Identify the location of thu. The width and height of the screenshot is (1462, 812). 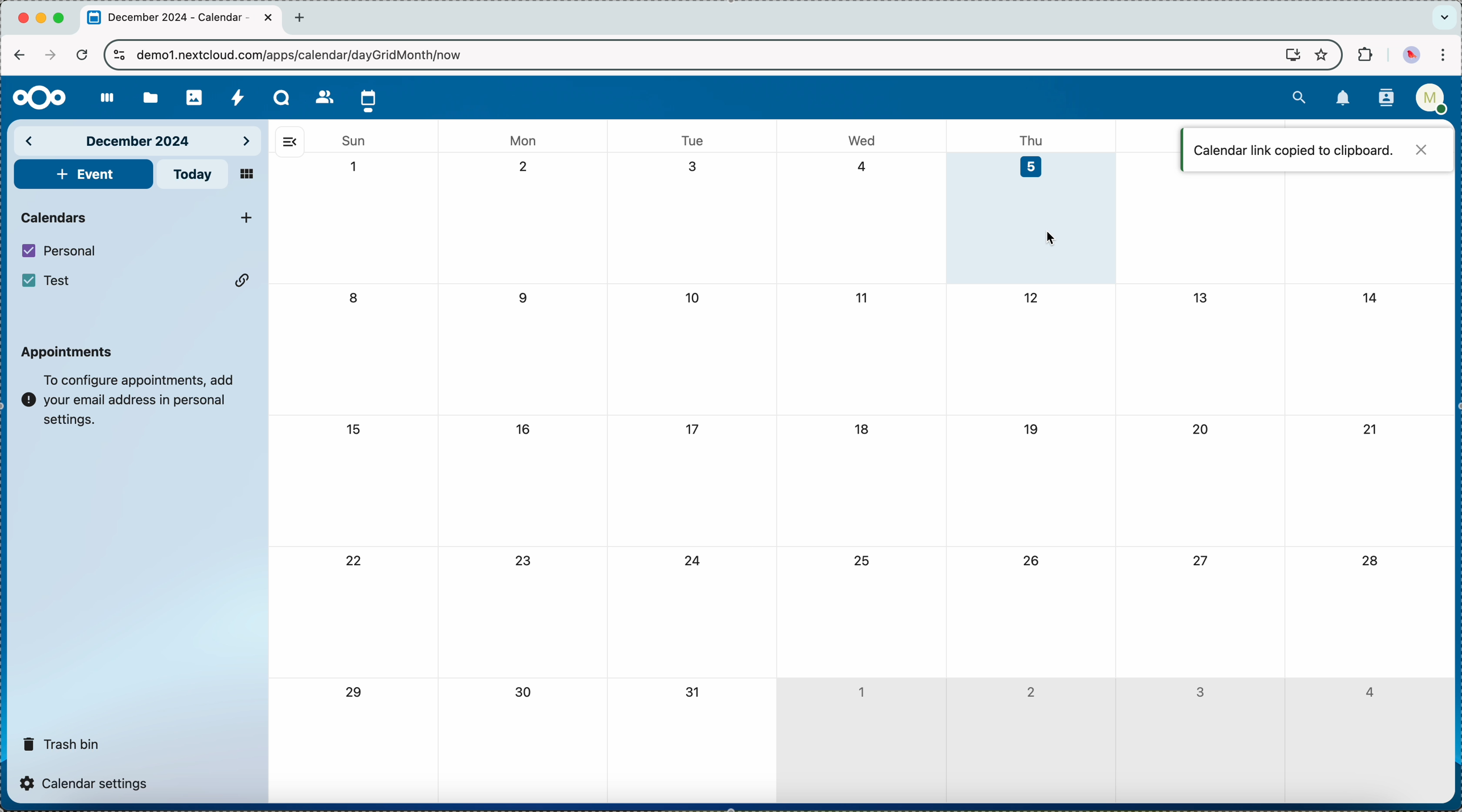
(1036, 139).